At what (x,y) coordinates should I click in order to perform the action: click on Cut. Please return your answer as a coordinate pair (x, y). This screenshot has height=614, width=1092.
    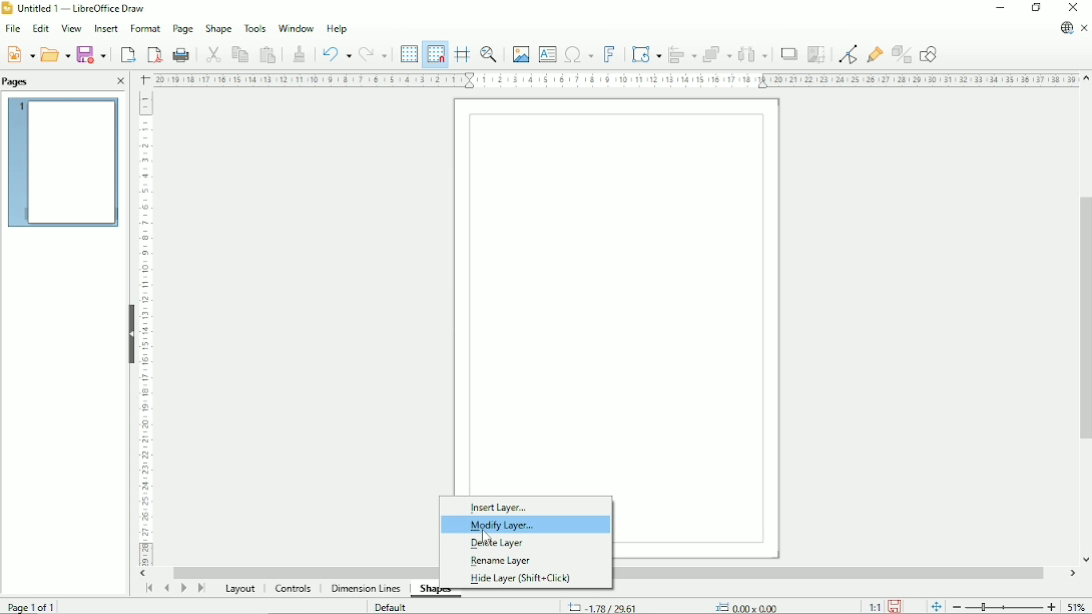
    Looking at the image, I should click on (210, 54).